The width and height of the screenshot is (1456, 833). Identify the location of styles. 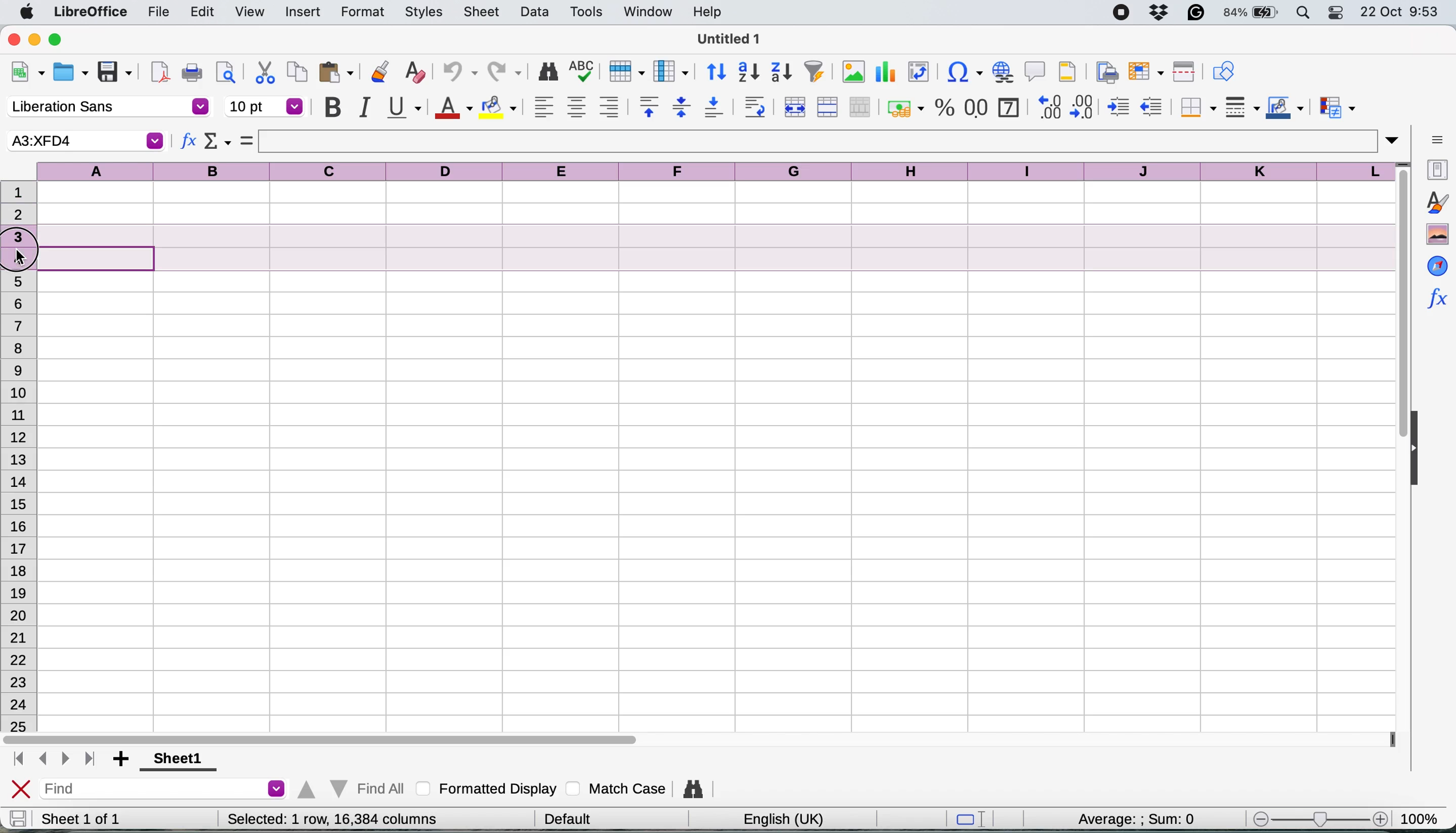
(424, 13).